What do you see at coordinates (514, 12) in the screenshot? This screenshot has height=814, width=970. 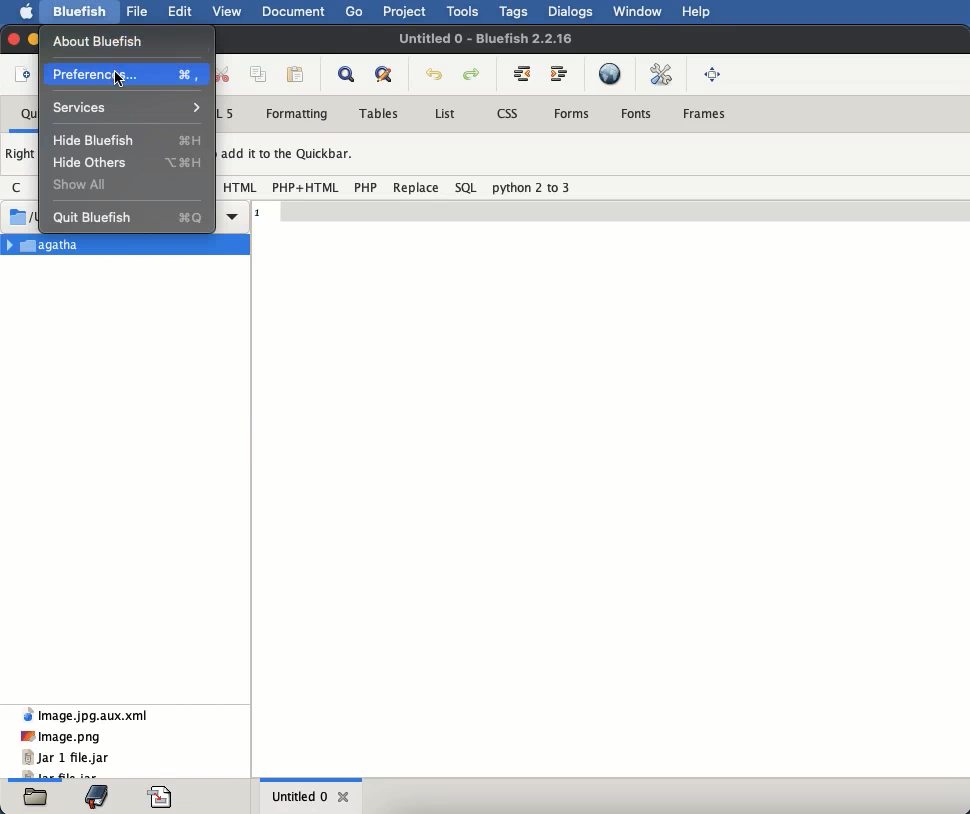 I see `tags` at bounding box center [514, 12].